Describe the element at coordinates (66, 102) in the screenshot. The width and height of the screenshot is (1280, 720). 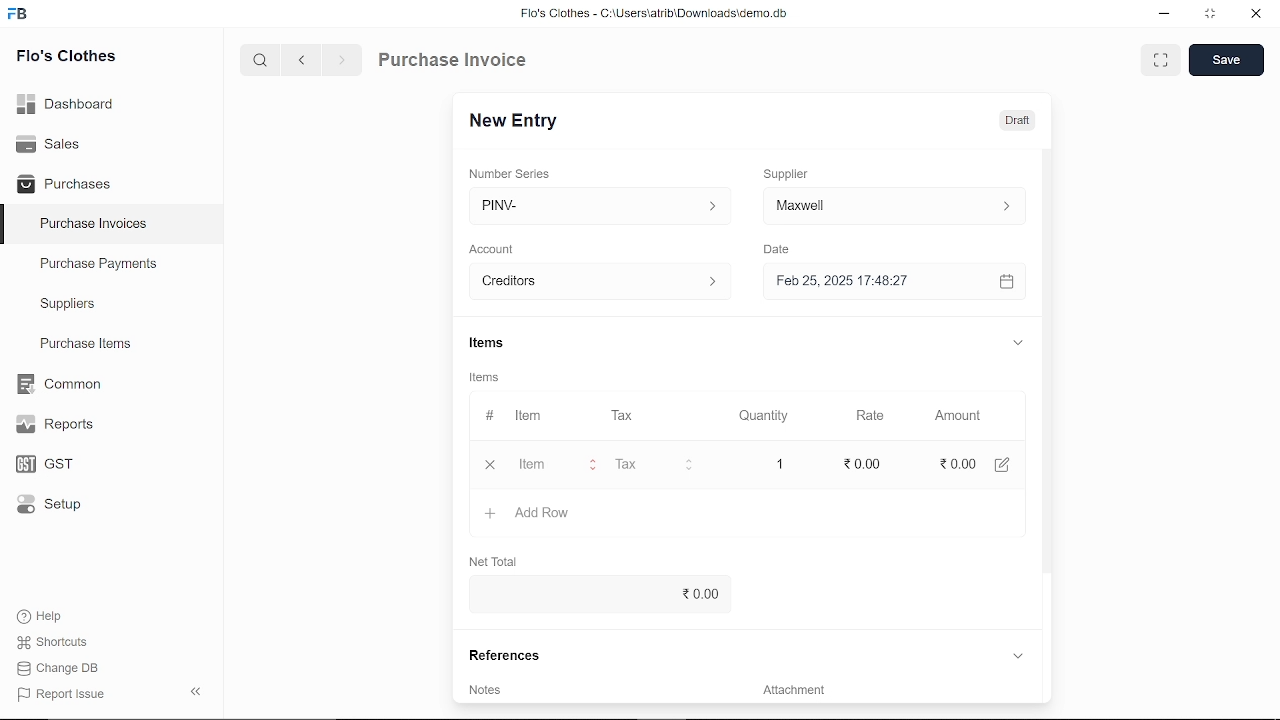
I see `Dashboard` at that location.